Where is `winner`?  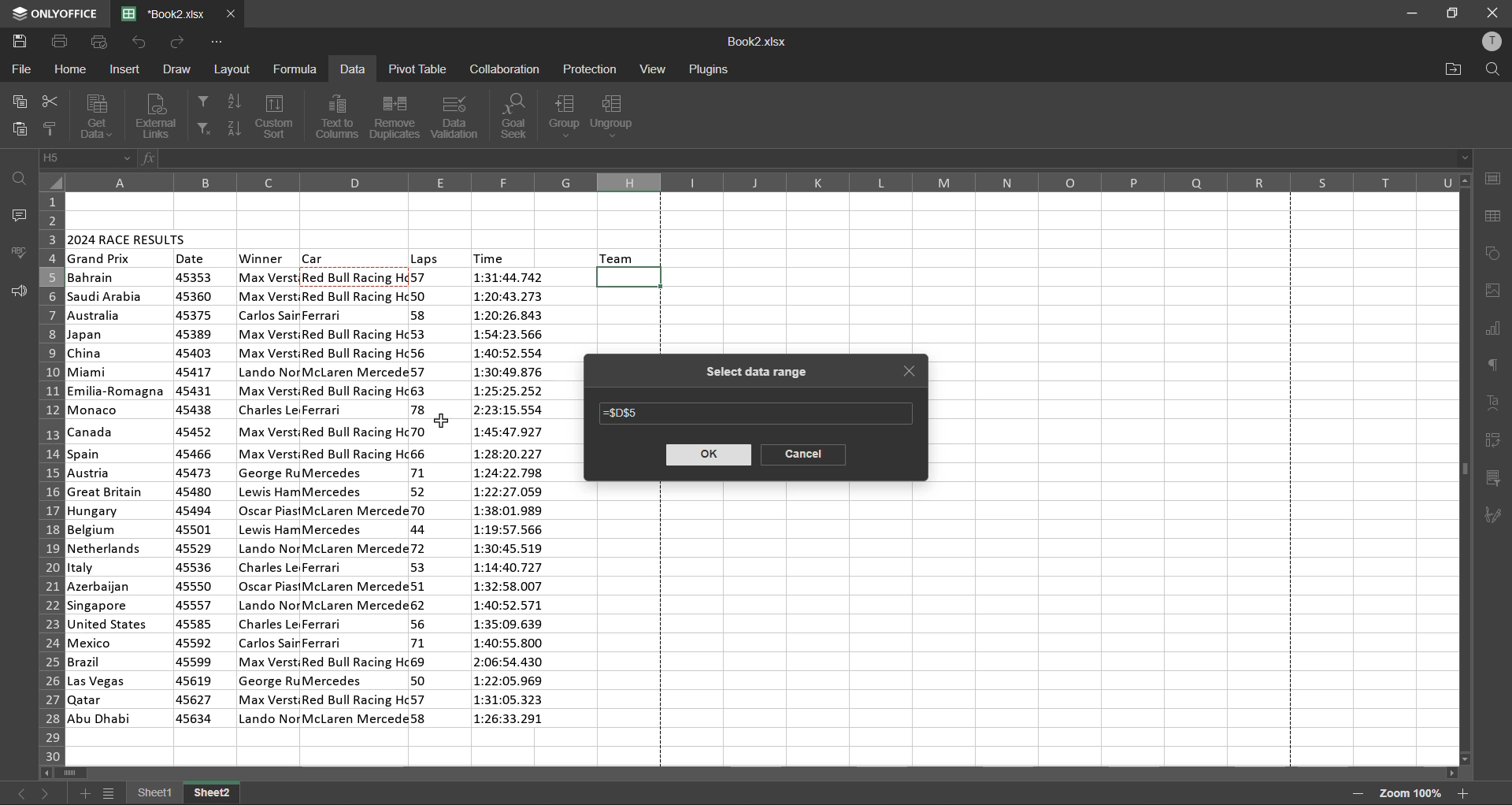 winner is located at coordinates (262, 258).